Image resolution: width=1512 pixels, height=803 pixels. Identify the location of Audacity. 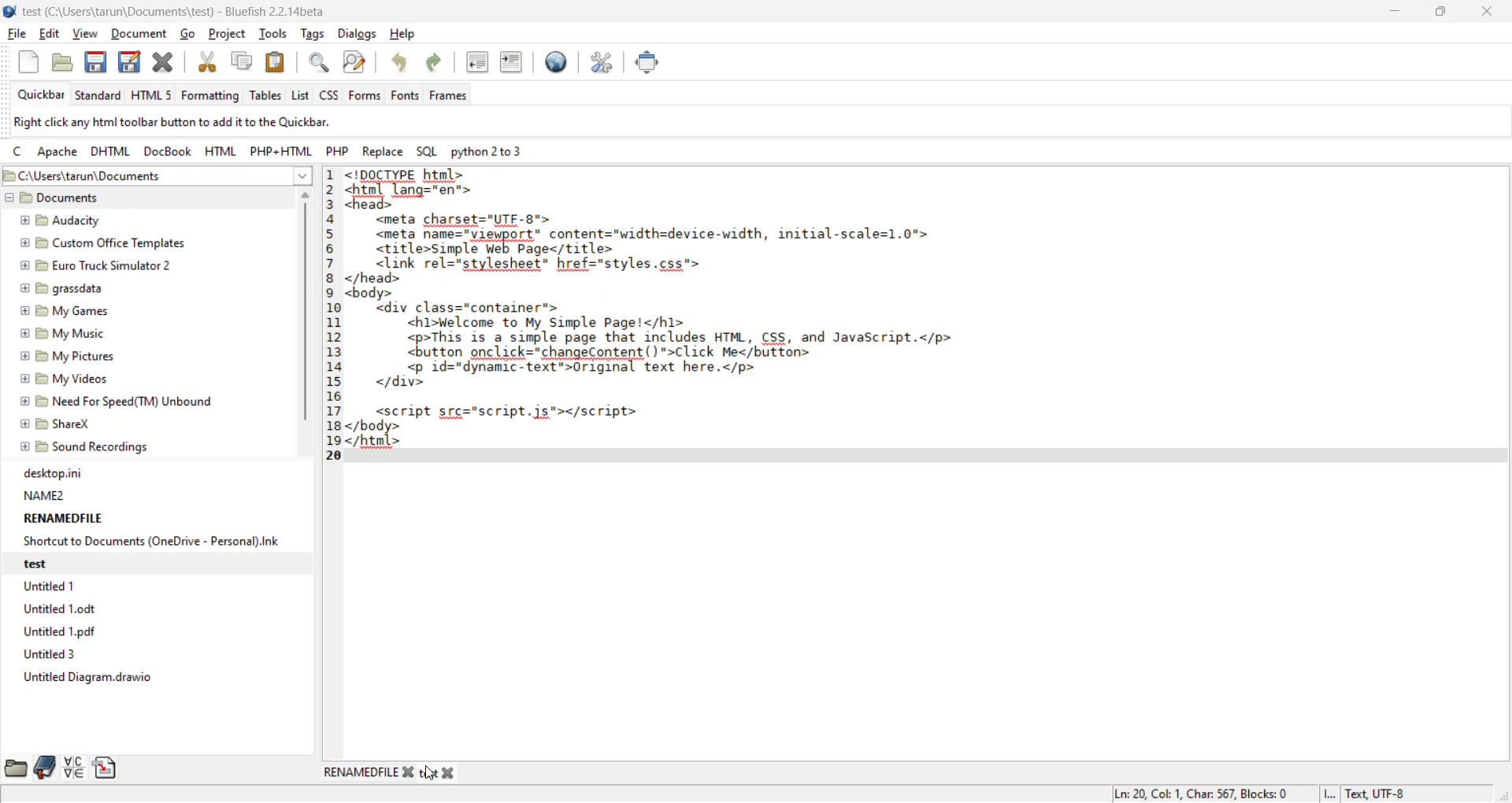
(59, 217).